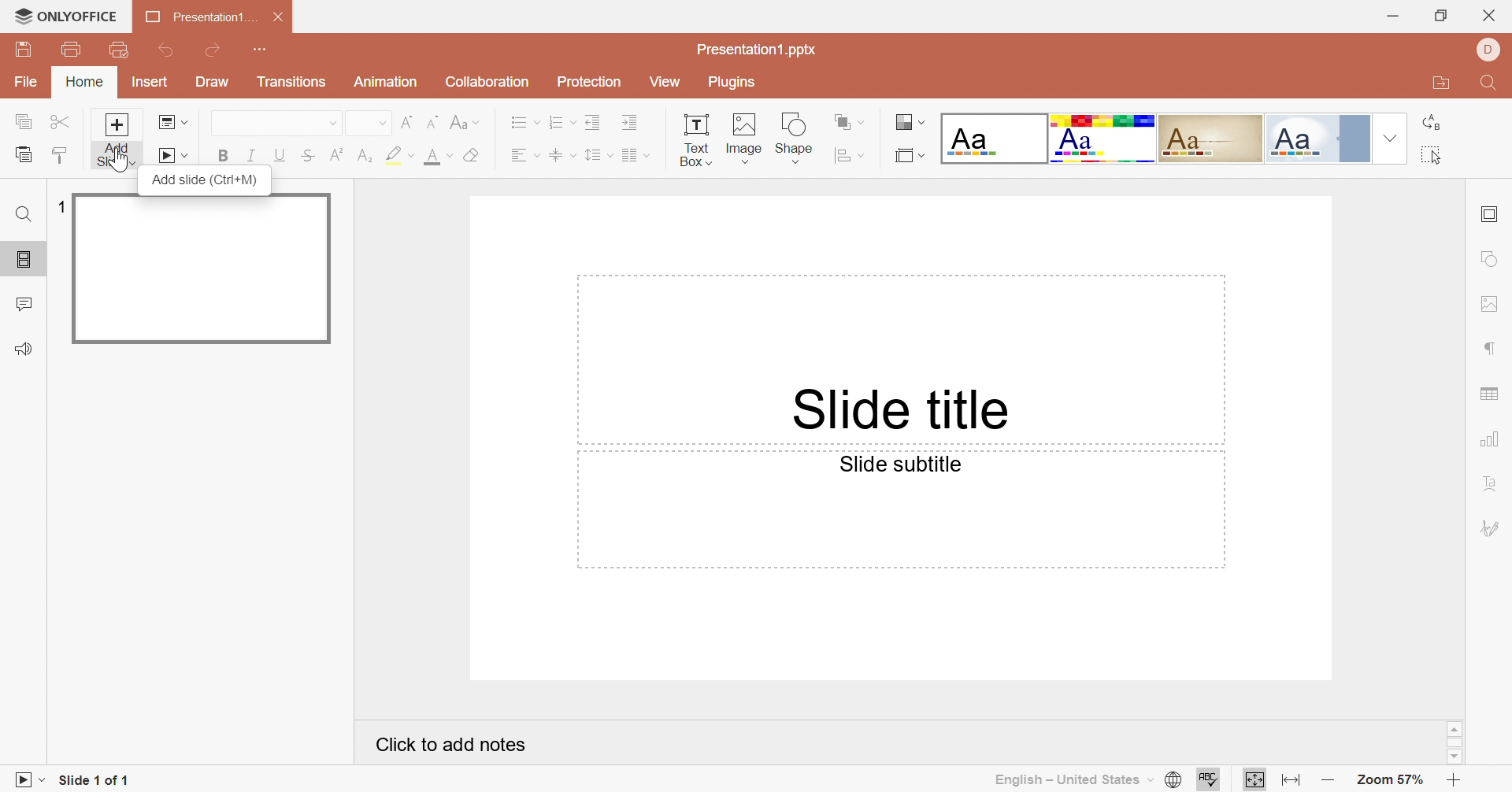 The width and height of the screenshot is (1512, 792). What do you see at coordinates (363, 156) in the screenshot?
I see `Subscript` at bounding box center [363, 156].